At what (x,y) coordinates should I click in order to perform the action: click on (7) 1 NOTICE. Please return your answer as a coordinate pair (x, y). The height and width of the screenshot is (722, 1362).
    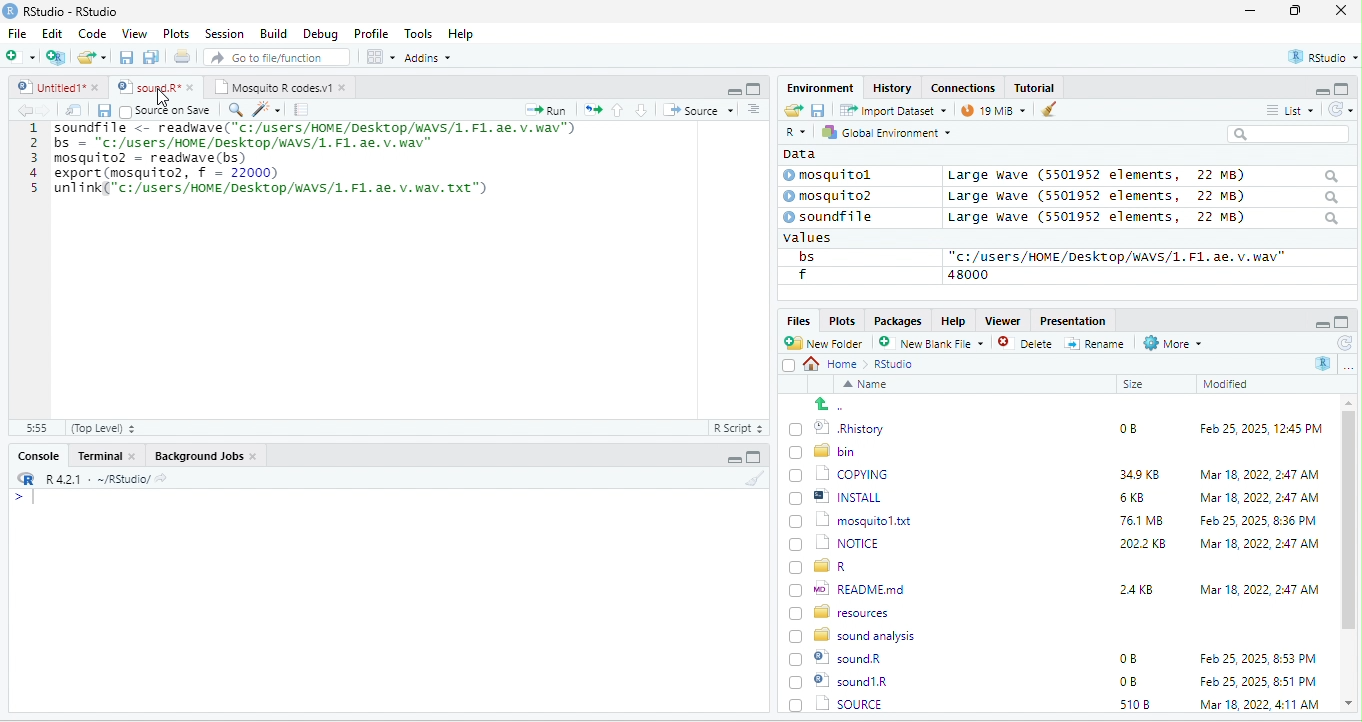
    Looking at the image, I should click on (832, 544).